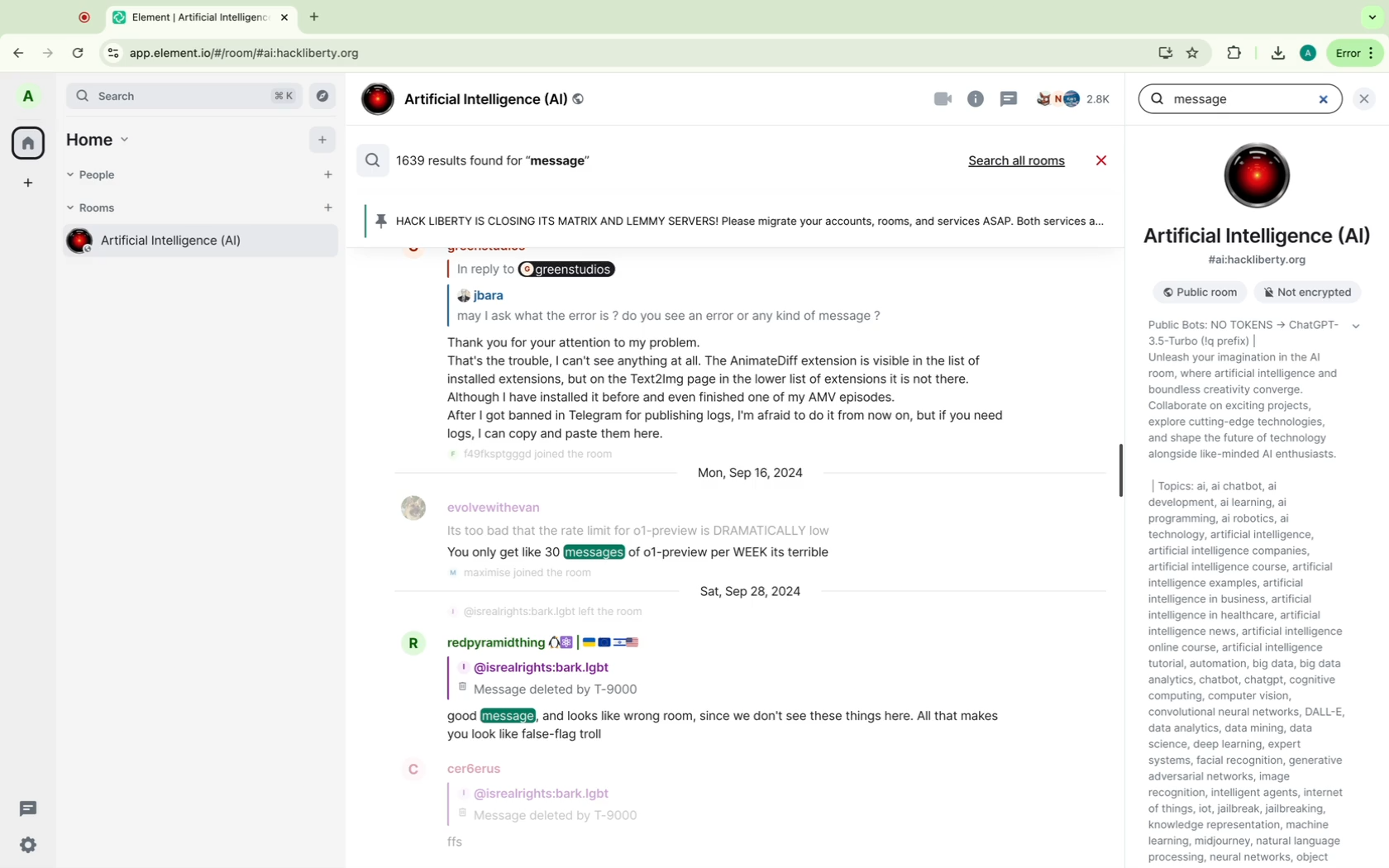 The image size is (1389, 868). What do you see at coordinates (29, 846) in the screenshot?
I see `quick settings` at bounding box center [29, 846].